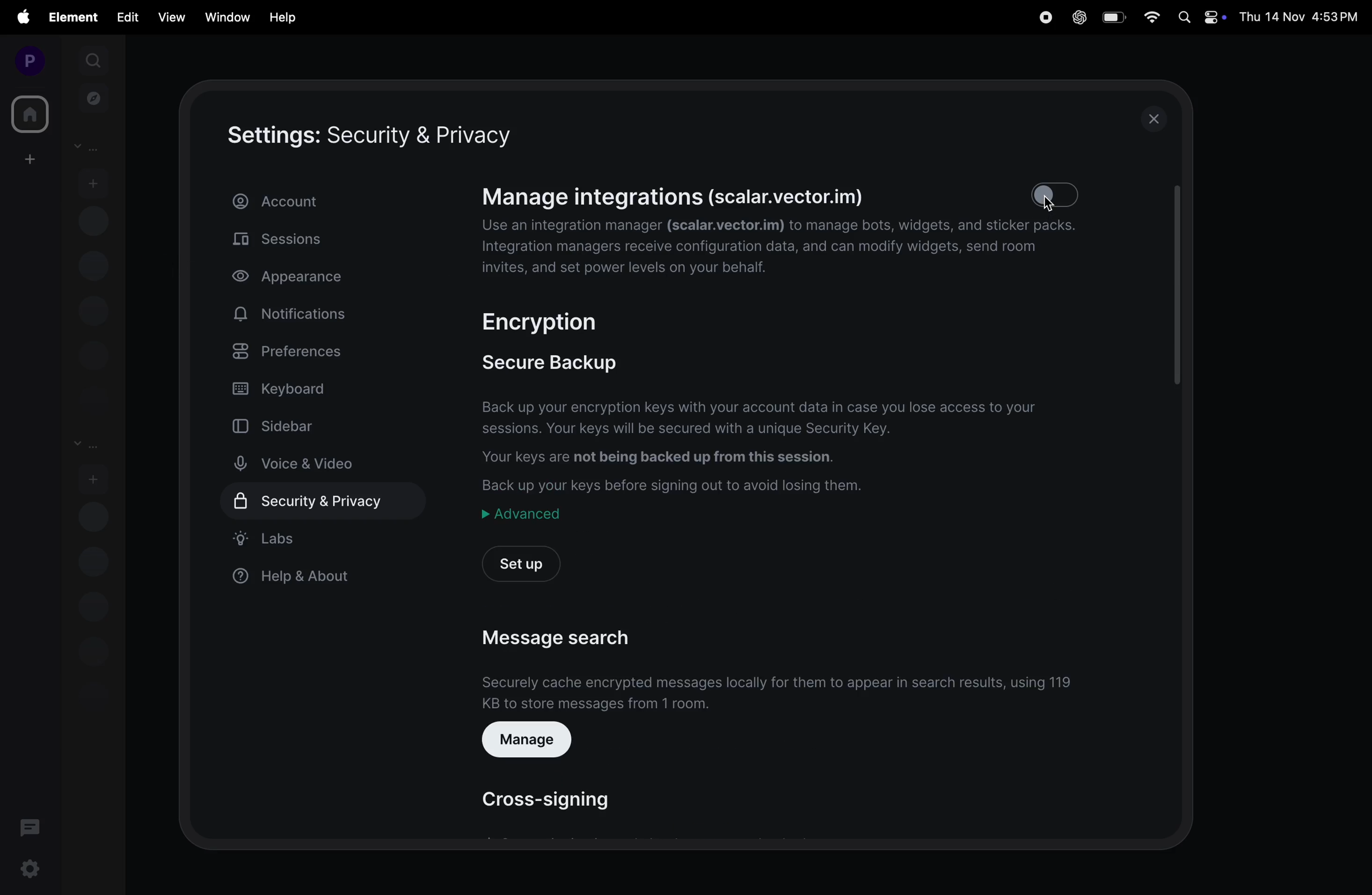 The width and height of the screenshot is (1372, 895). Describe the element at coordinates (774, 442) in the screenshot. I see `Back up your encryption keys with your account data in case you lose access to your
sessions. Your keys will be secured with a unique Security Key.

Your keys are not being backed up from this session.

Back up your keys before signing out to avoid losing them.` at that location.